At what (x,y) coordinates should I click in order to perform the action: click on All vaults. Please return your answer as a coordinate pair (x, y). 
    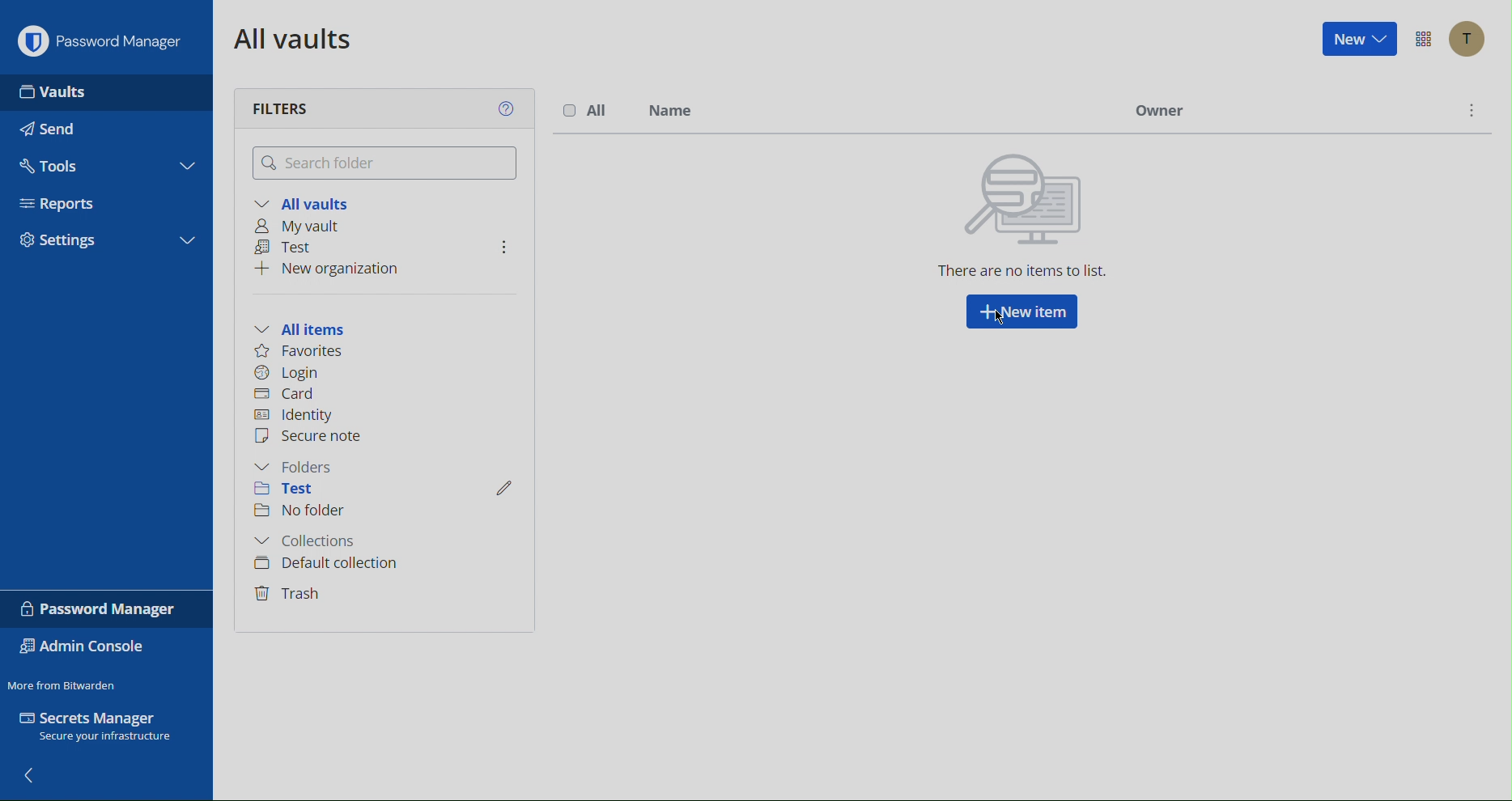
    Looking at the image, I should click on (293, 38).